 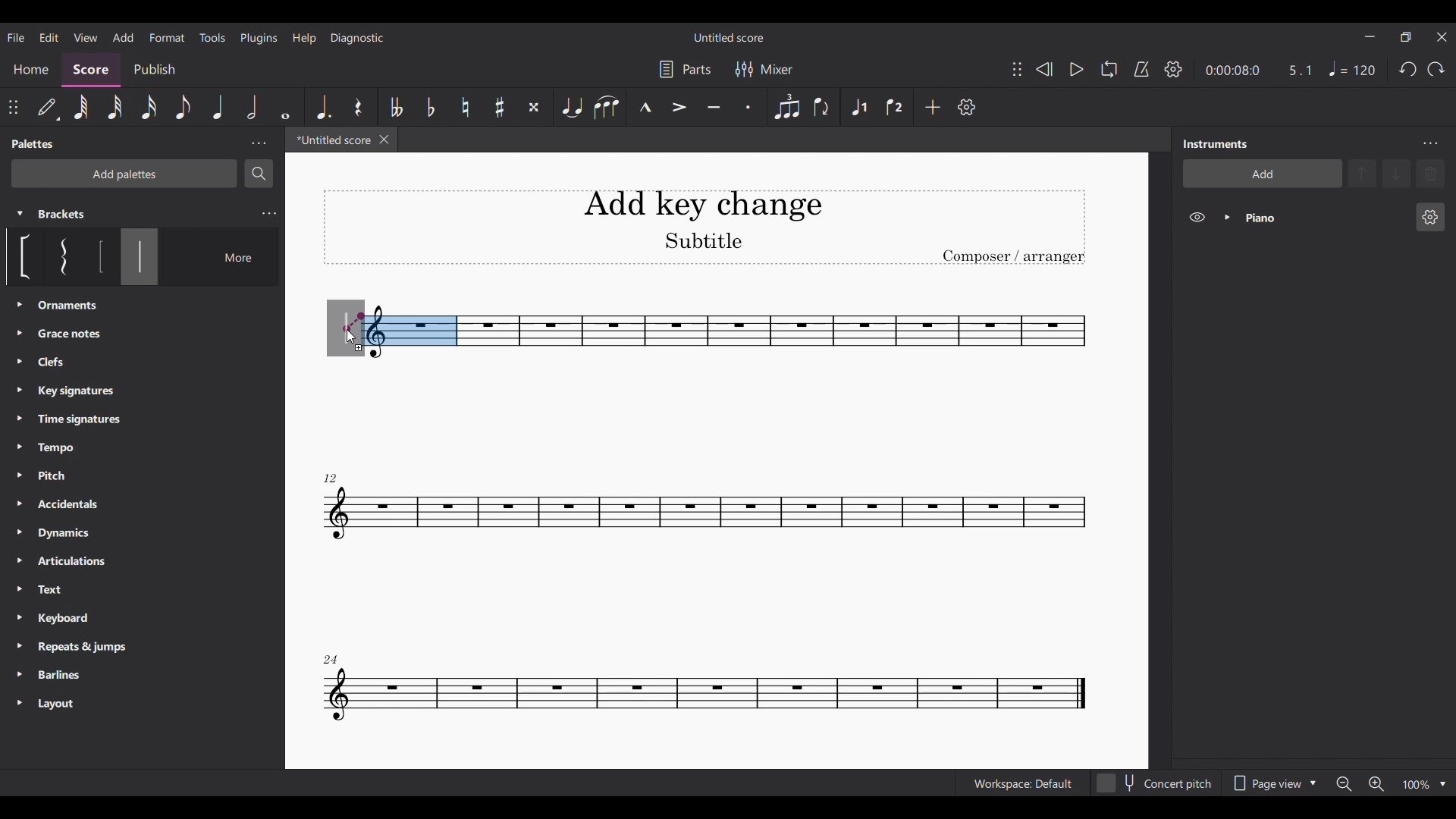 I want to click on Change position of toolbar attached, so click(x=1017, y=69).